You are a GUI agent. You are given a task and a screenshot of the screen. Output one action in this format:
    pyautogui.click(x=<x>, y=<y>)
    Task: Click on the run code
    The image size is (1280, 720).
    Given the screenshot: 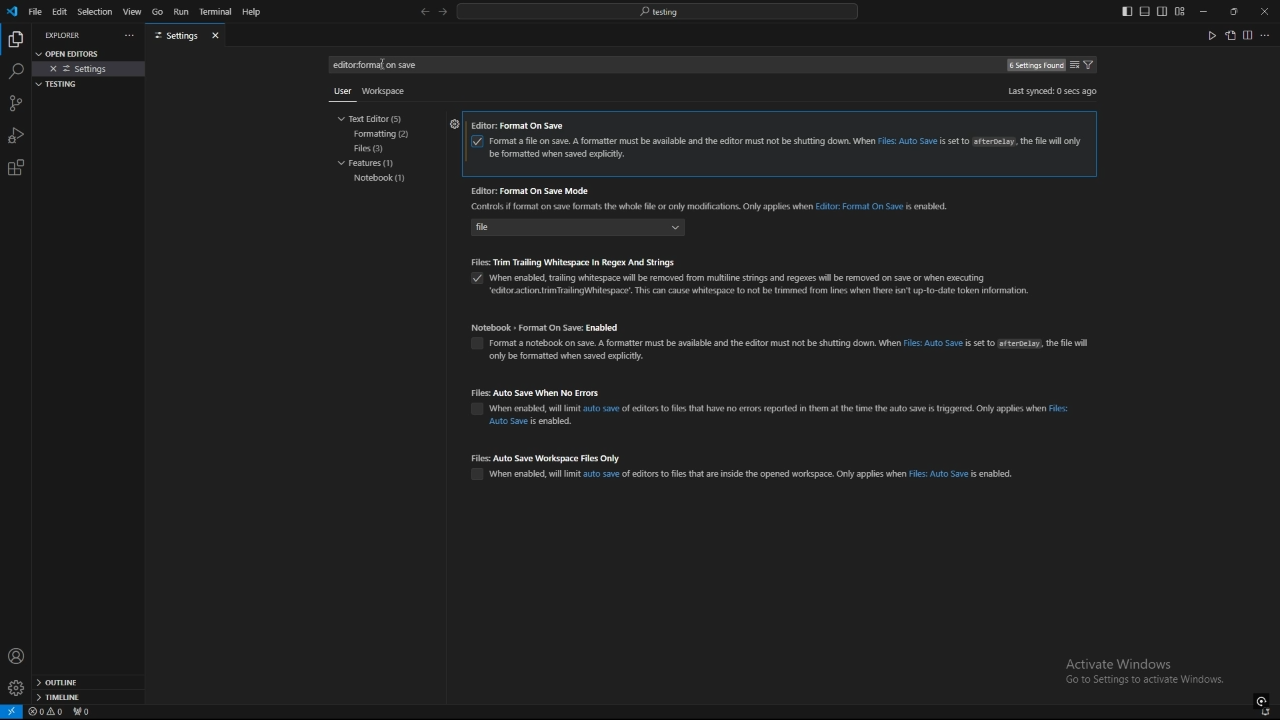 What is the action you would take?
    pyautogui.click(x=1211, y=35)
    